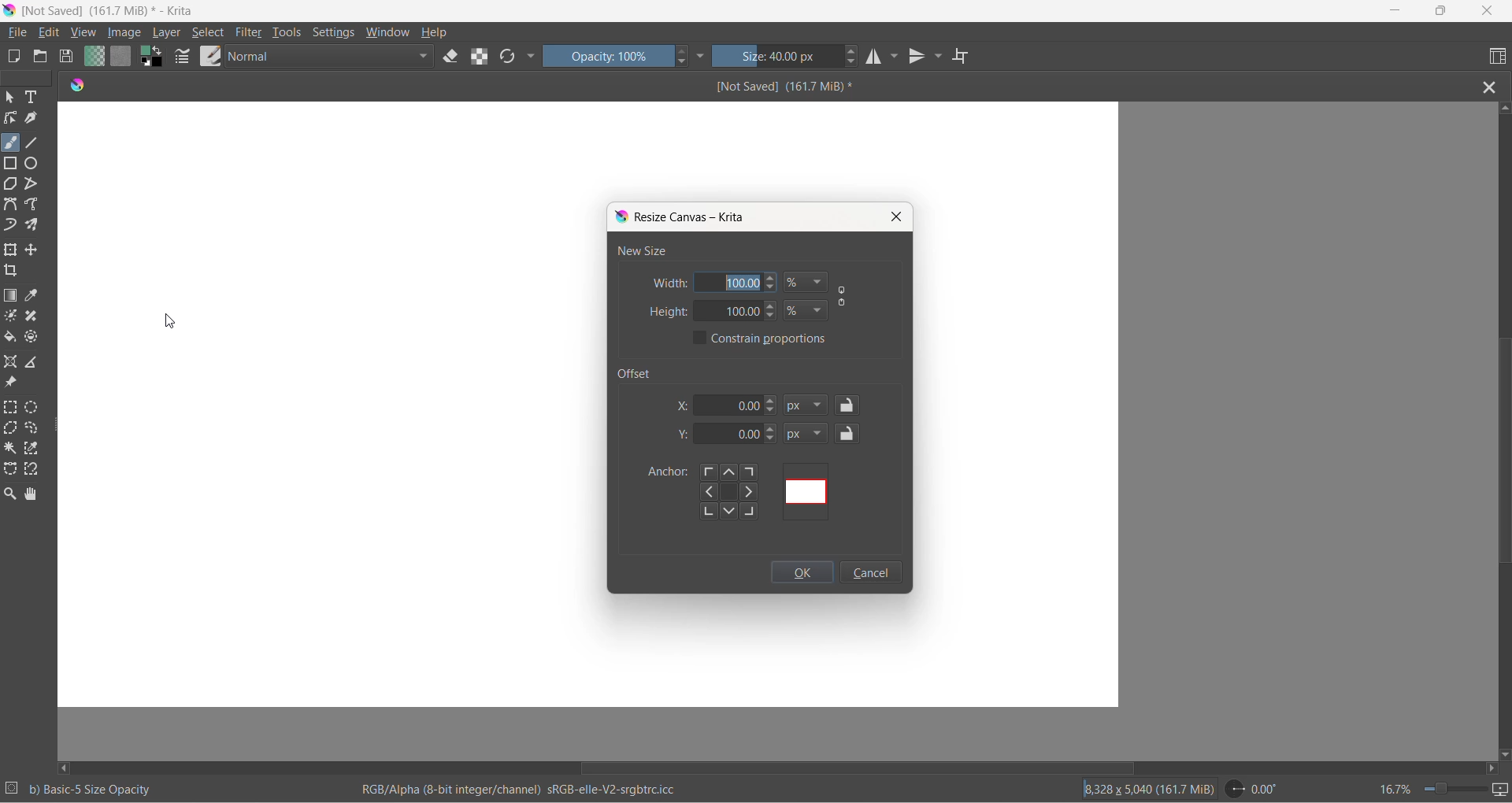 Image resolution: width=1512 pixels, height=803 pixels. What do you see at coordinates (1503, 107) in the screenshot?
I see `scroll up button` at bounding box center [1503, 107].